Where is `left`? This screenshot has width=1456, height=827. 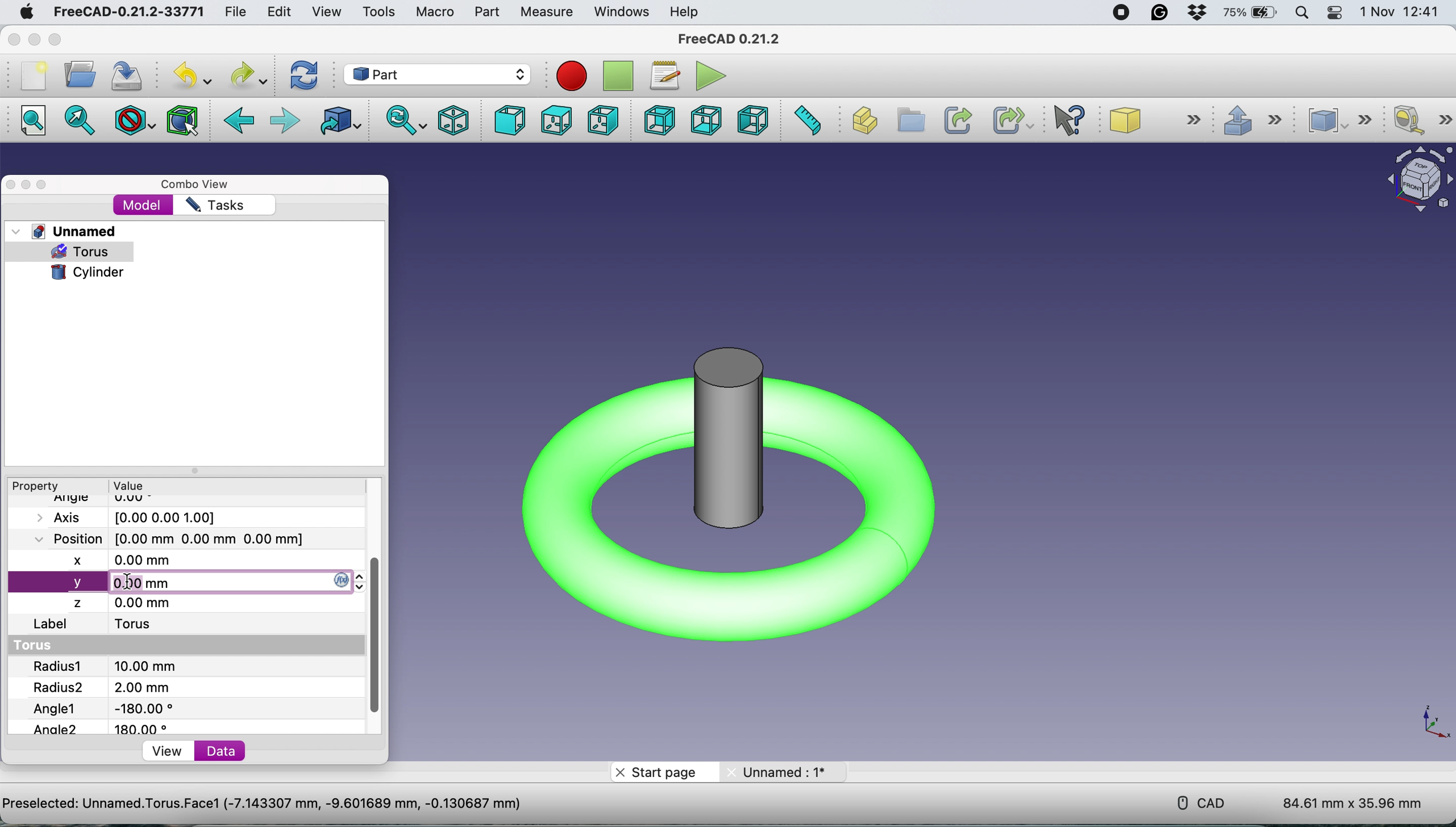
left is located at coordinates (751, 122).